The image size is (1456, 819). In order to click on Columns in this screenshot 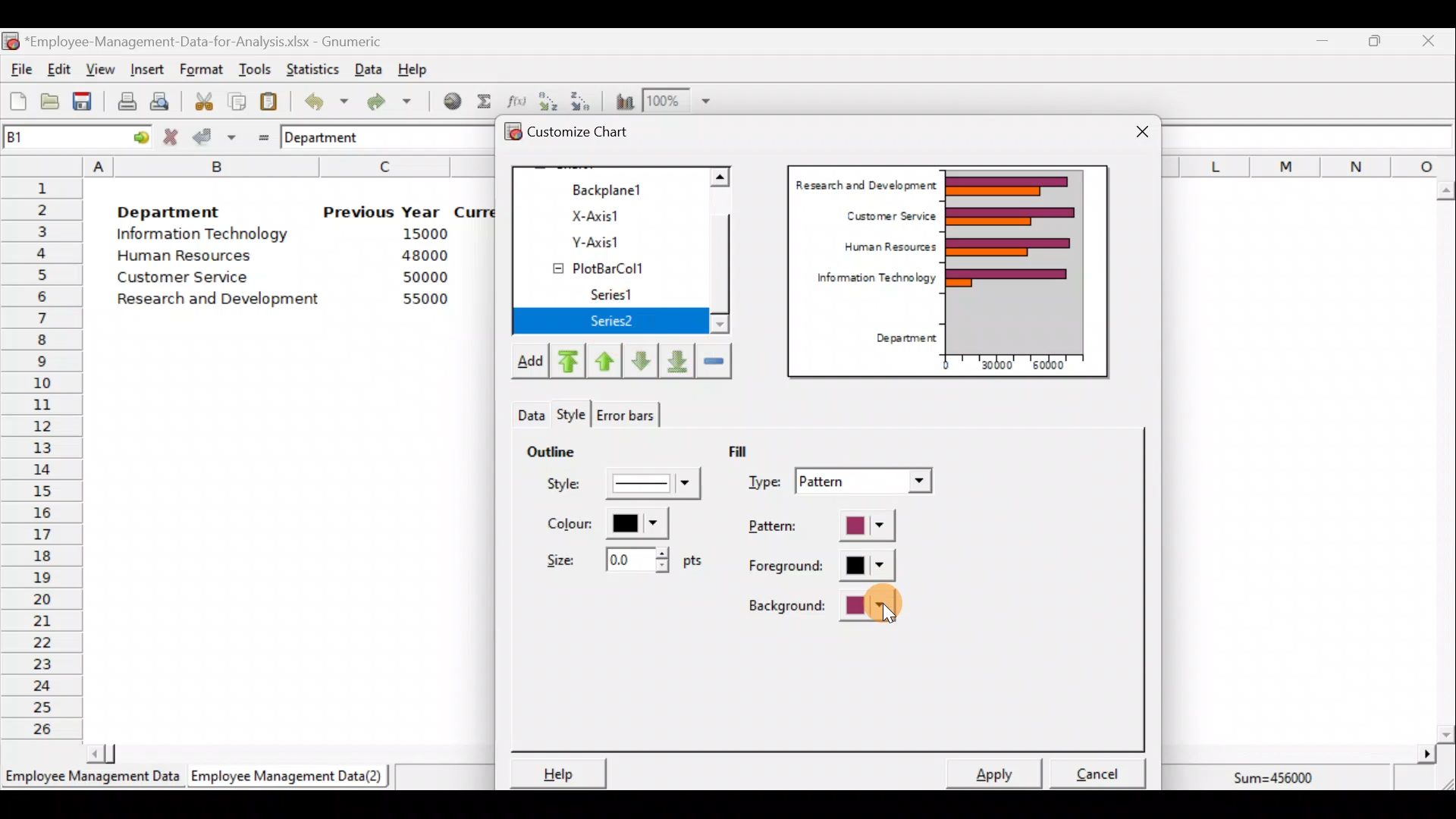, I will do `click(1309, 165)`.